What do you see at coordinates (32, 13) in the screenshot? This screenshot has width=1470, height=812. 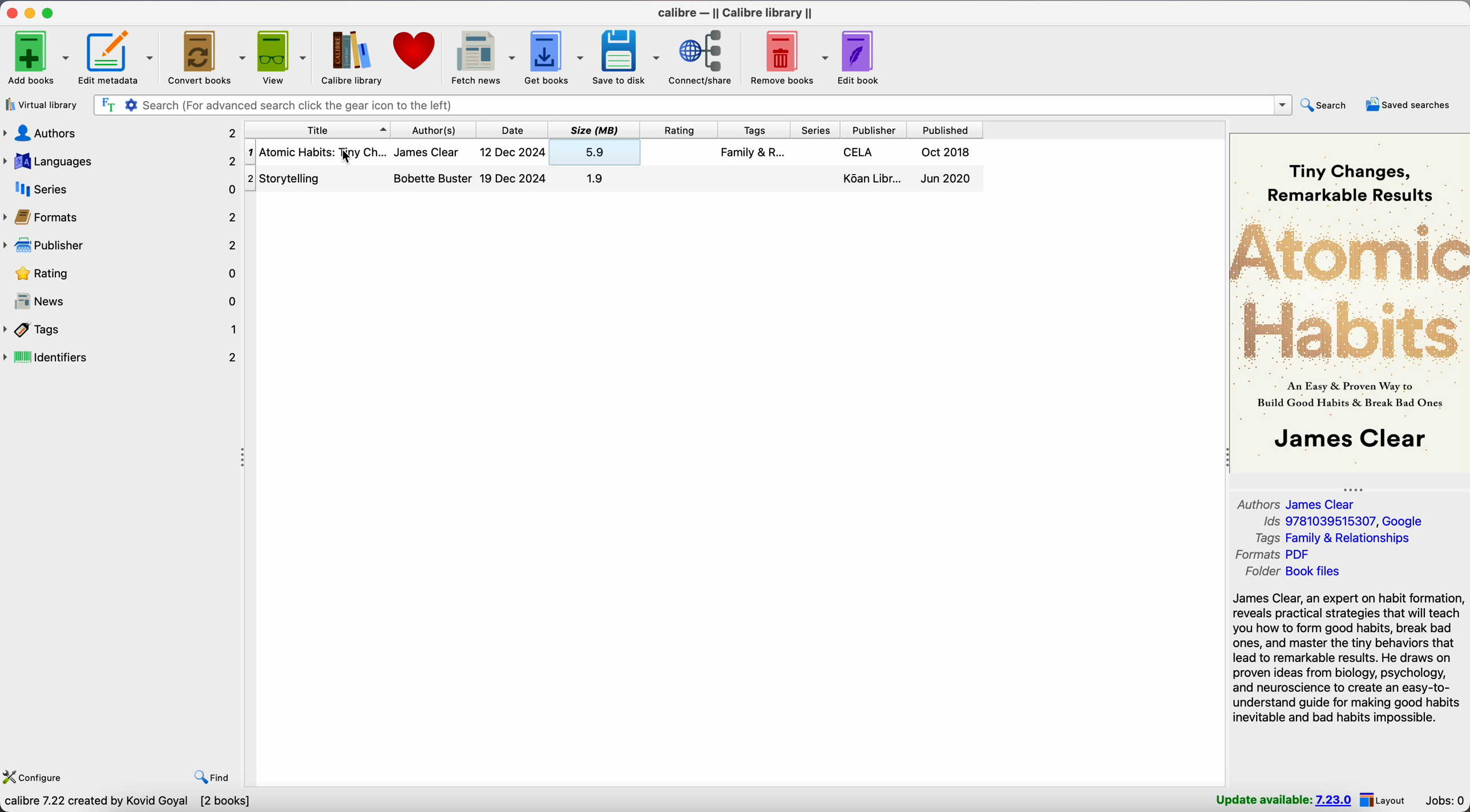 I see `minimize Calibre` at bounding box center [32, 13].